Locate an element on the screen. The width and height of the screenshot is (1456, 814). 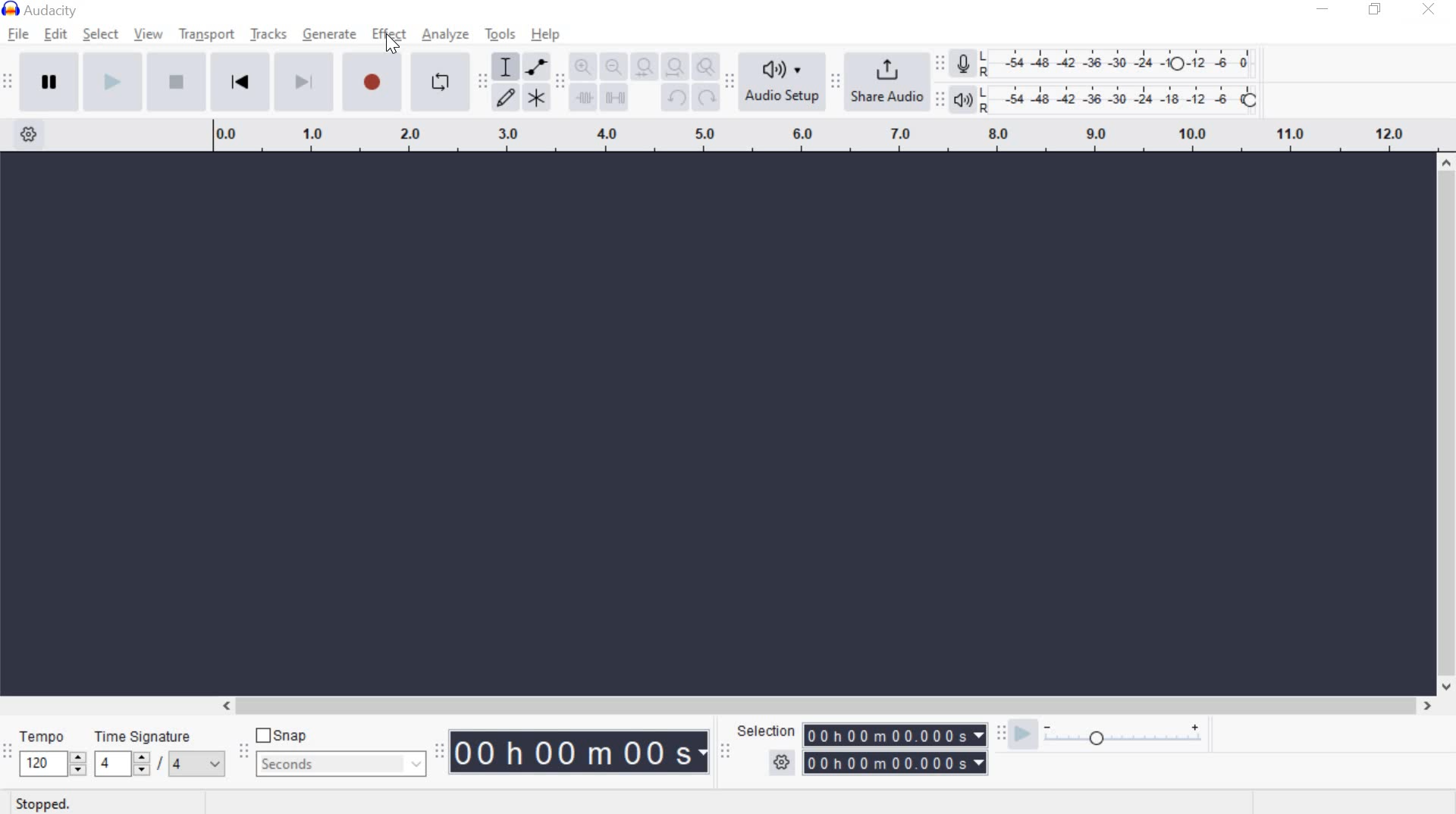
Play-at-speed toolbar is located at coordinates (1004, 731).